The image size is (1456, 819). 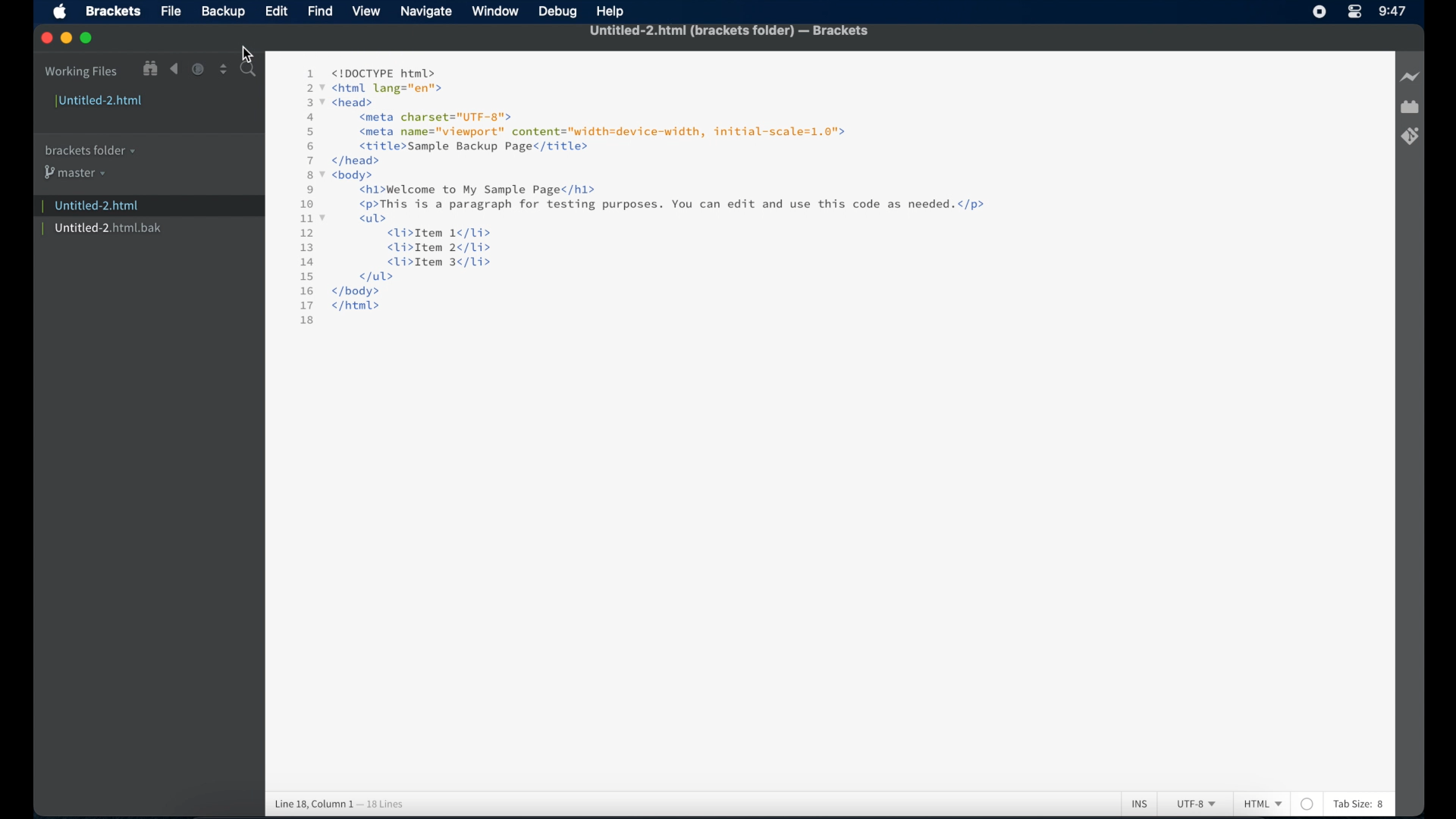 I want to click on 9:47, so click(x=1392, y=11).